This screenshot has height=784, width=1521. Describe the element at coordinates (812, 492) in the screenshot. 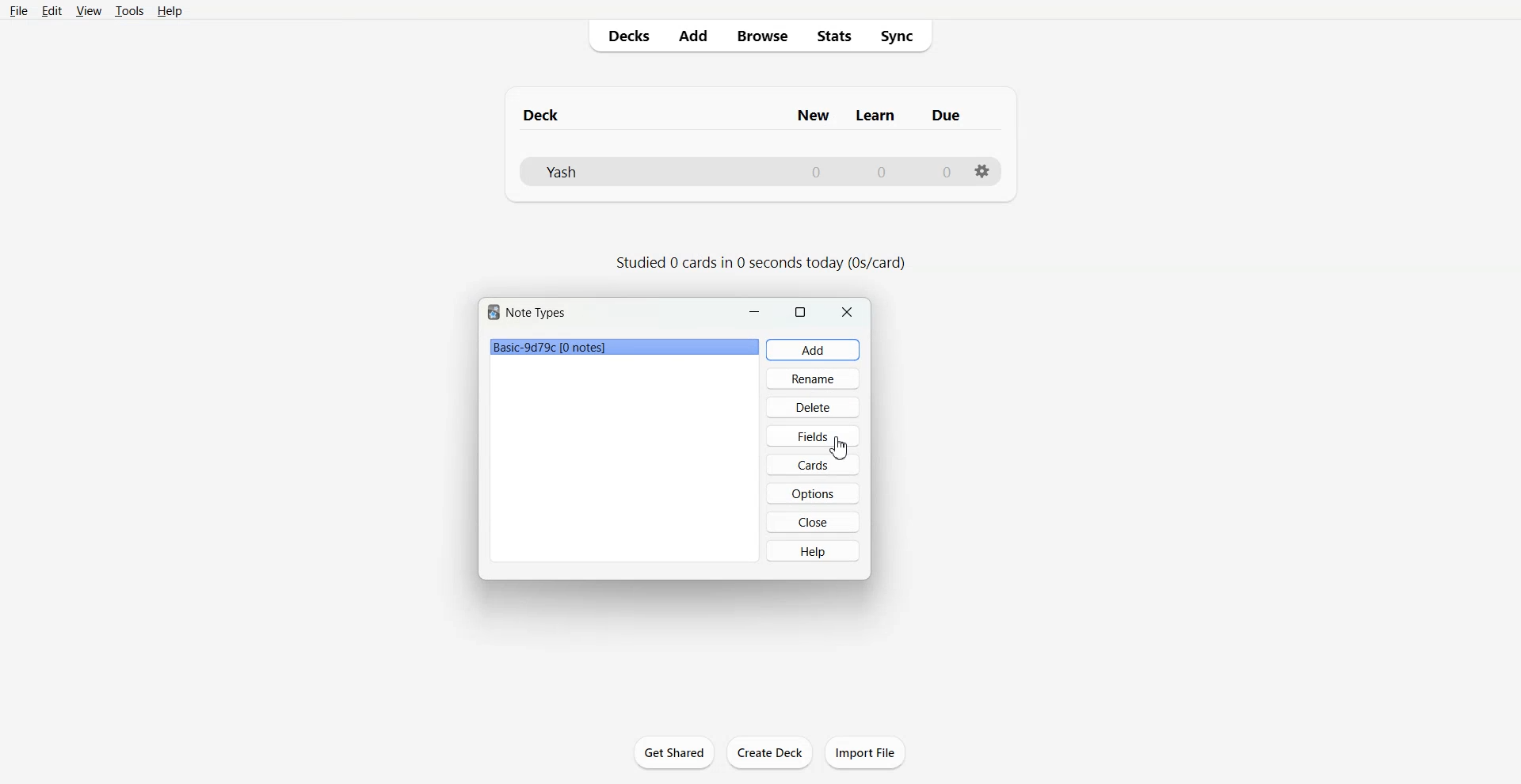

I see `Options` at that location.